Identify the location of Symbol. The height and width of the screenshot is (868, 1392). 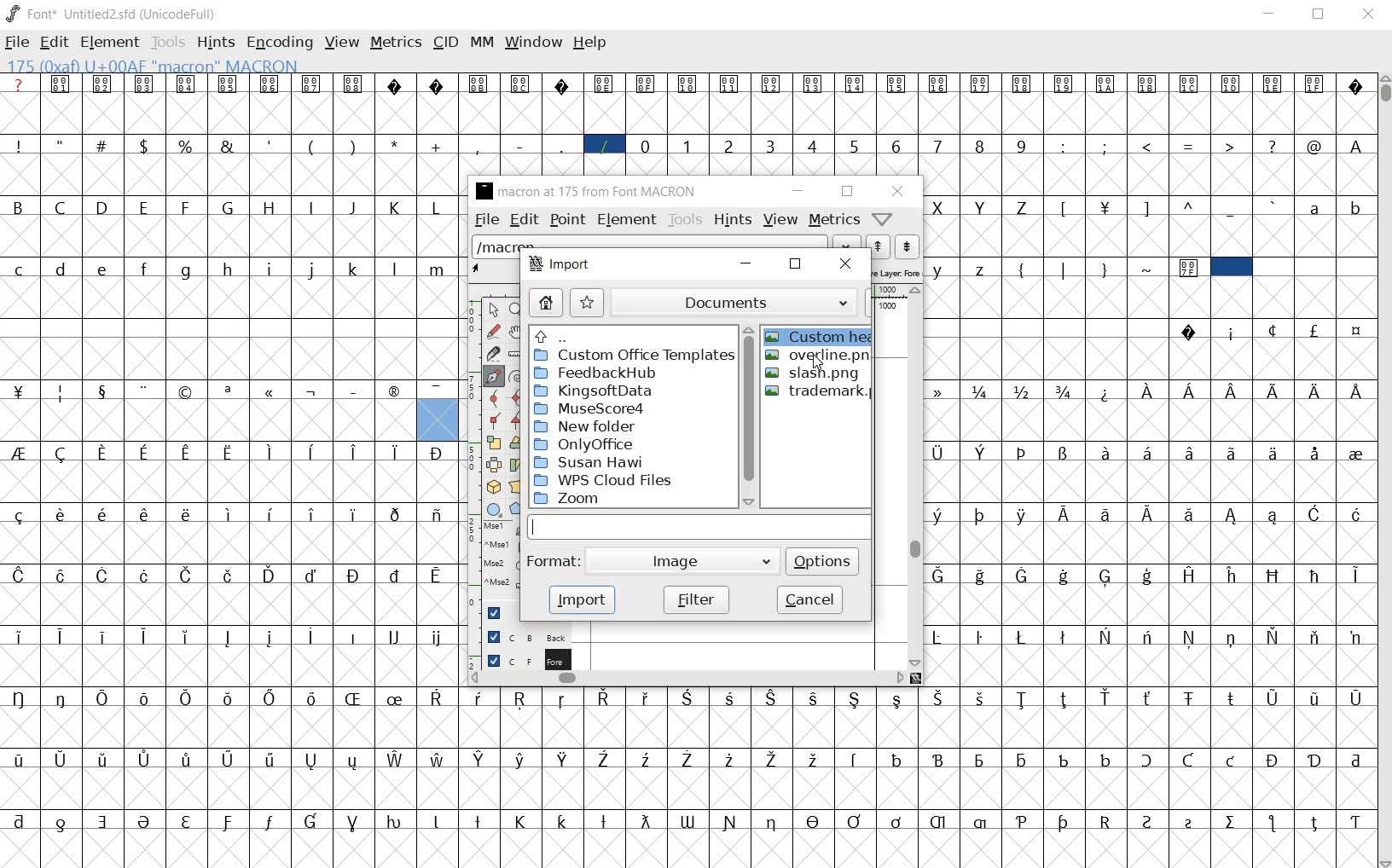
(1275, 637).